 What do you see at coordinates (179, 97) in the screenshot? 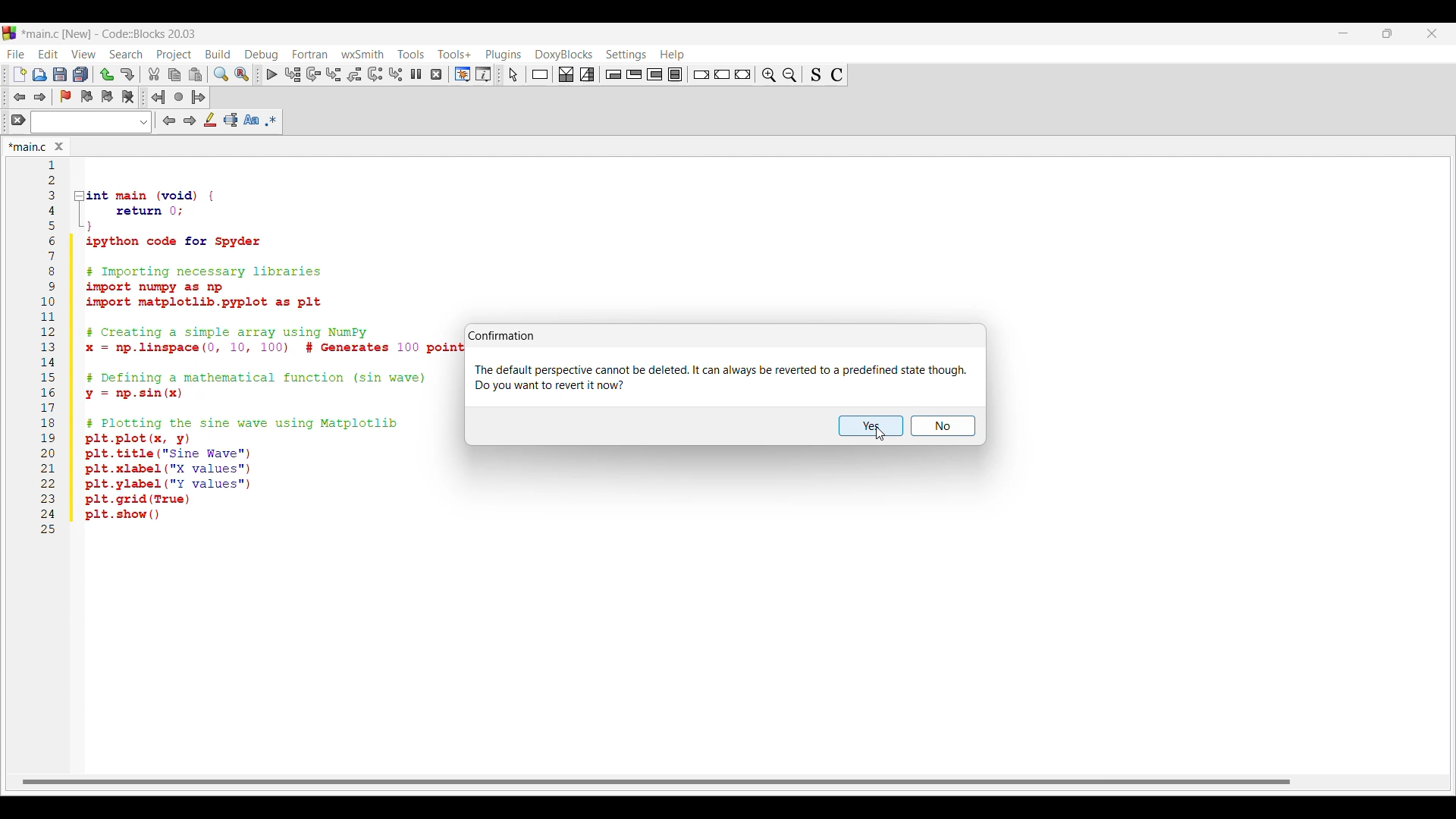
I see `Last jump` at bounding box center [179, 97].